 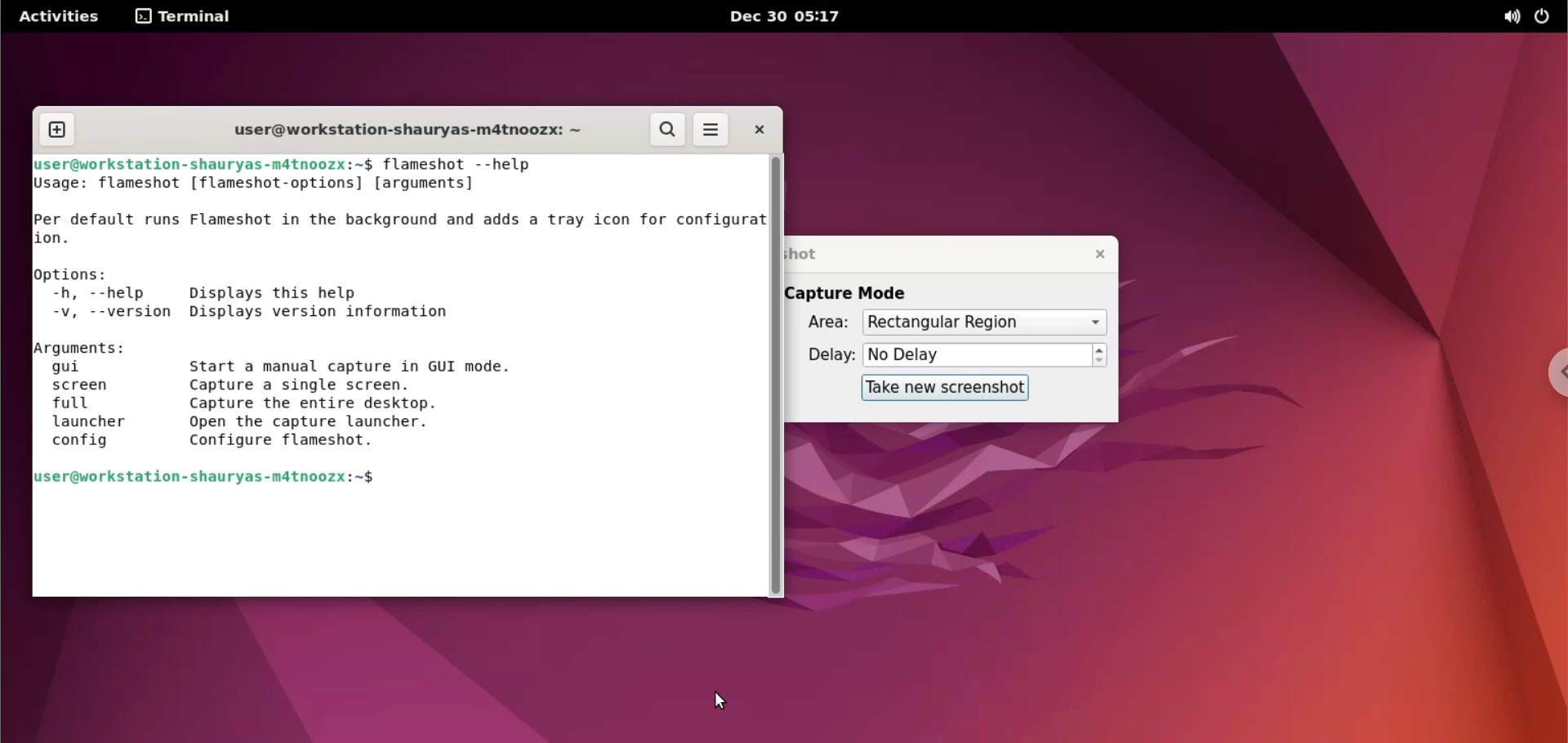 I want to click on displays version information, so click(x=325, y=314).